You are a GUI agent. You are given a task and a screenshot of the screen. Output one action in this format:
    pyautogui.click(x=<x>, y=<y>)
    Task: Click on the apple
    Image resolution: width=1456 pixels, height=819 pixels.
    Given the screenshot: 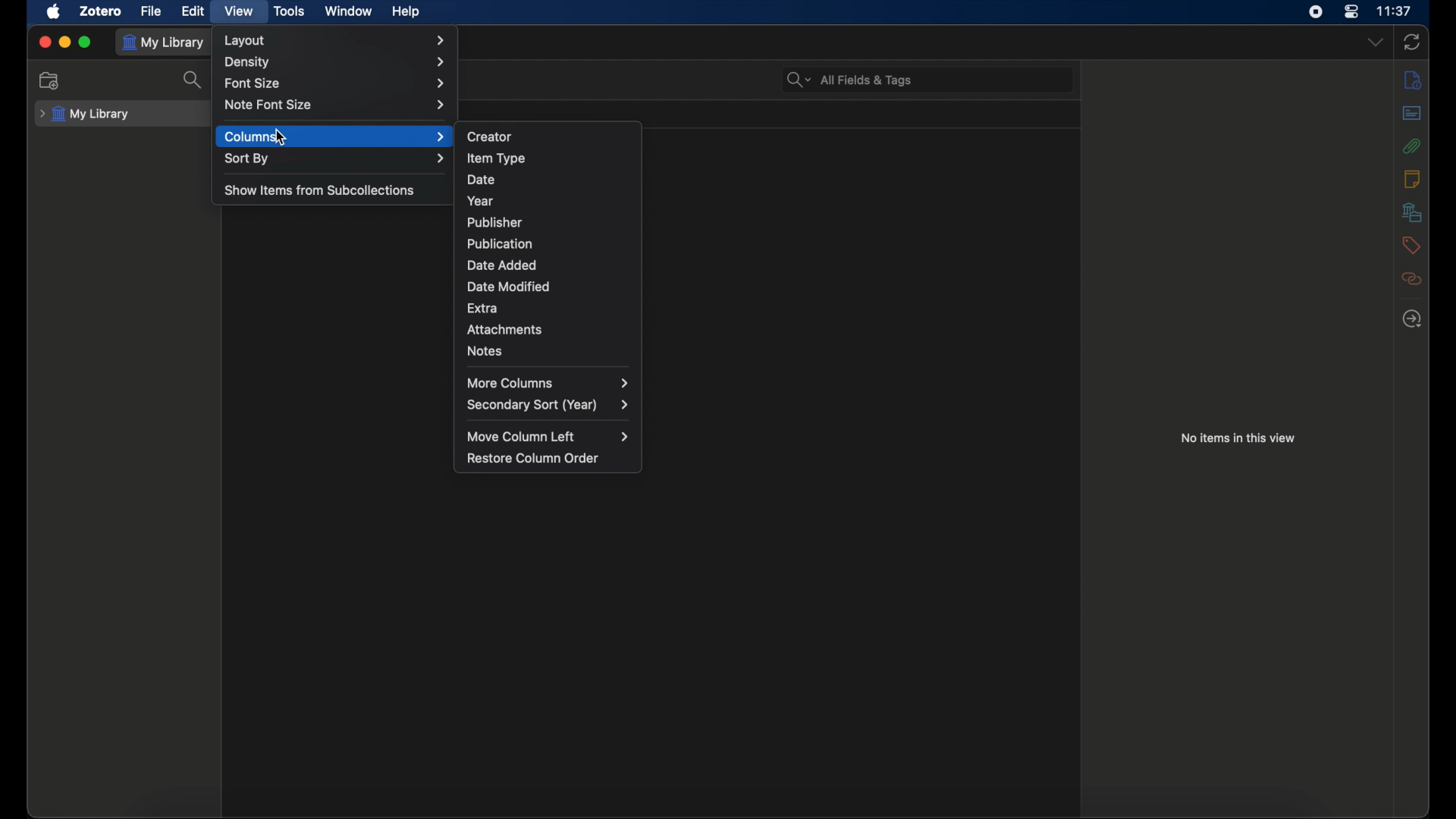 What is the action you would take?
    pyautogui.click(x=55, y=11)
    